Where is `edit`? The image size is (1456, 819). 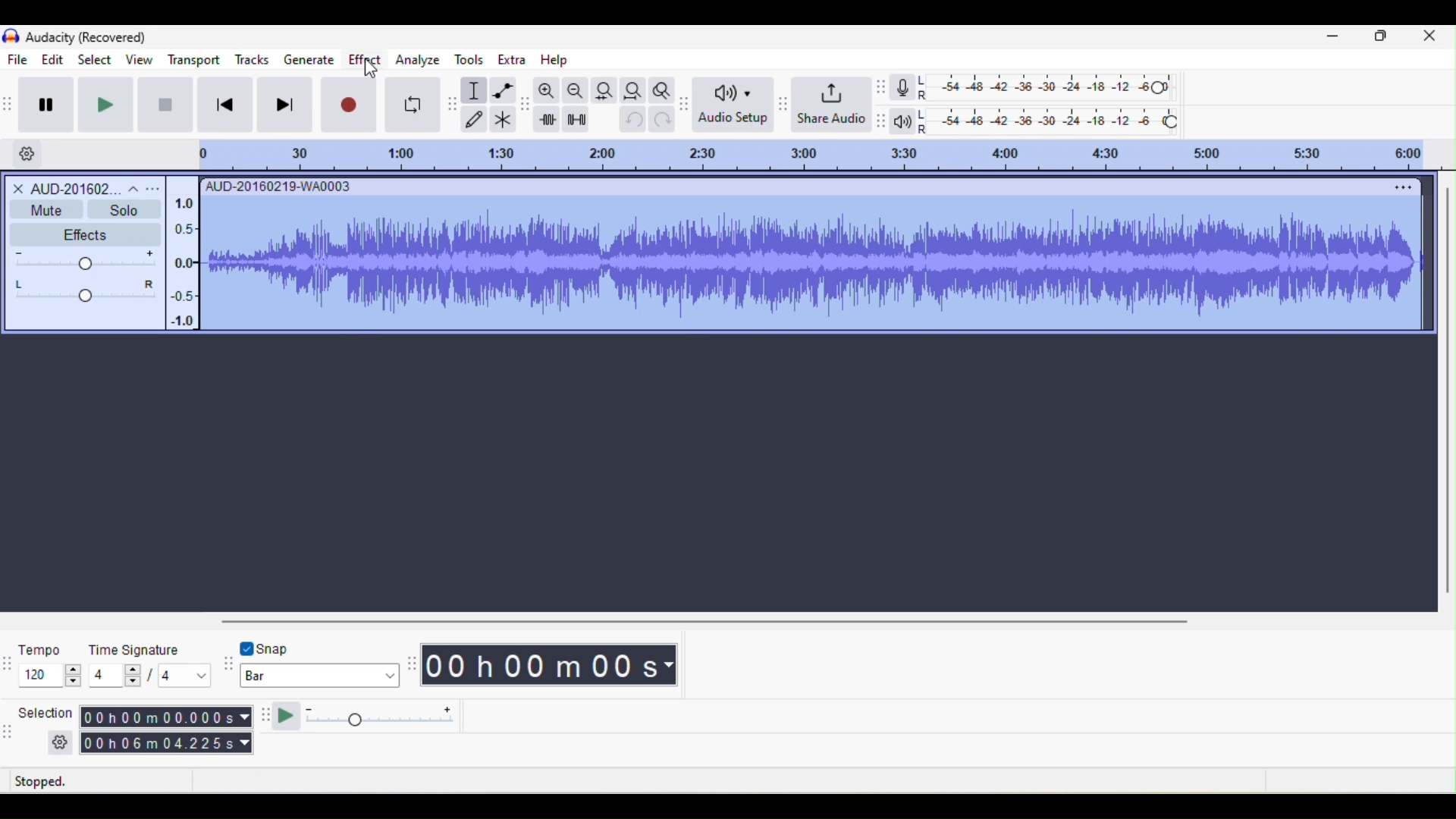 edit is located at coordinates (49, 60).